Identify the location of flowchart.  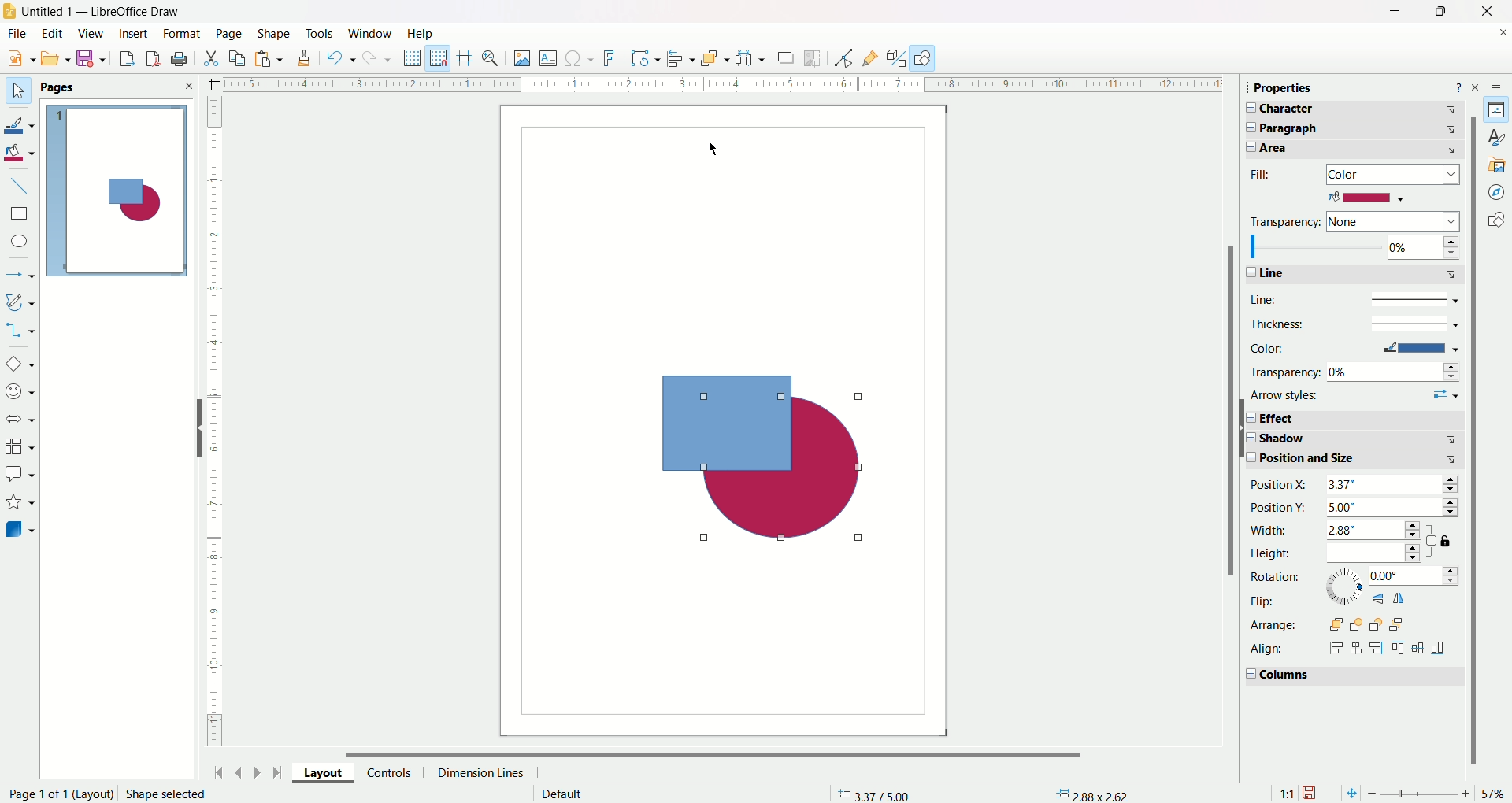
(20, 446).